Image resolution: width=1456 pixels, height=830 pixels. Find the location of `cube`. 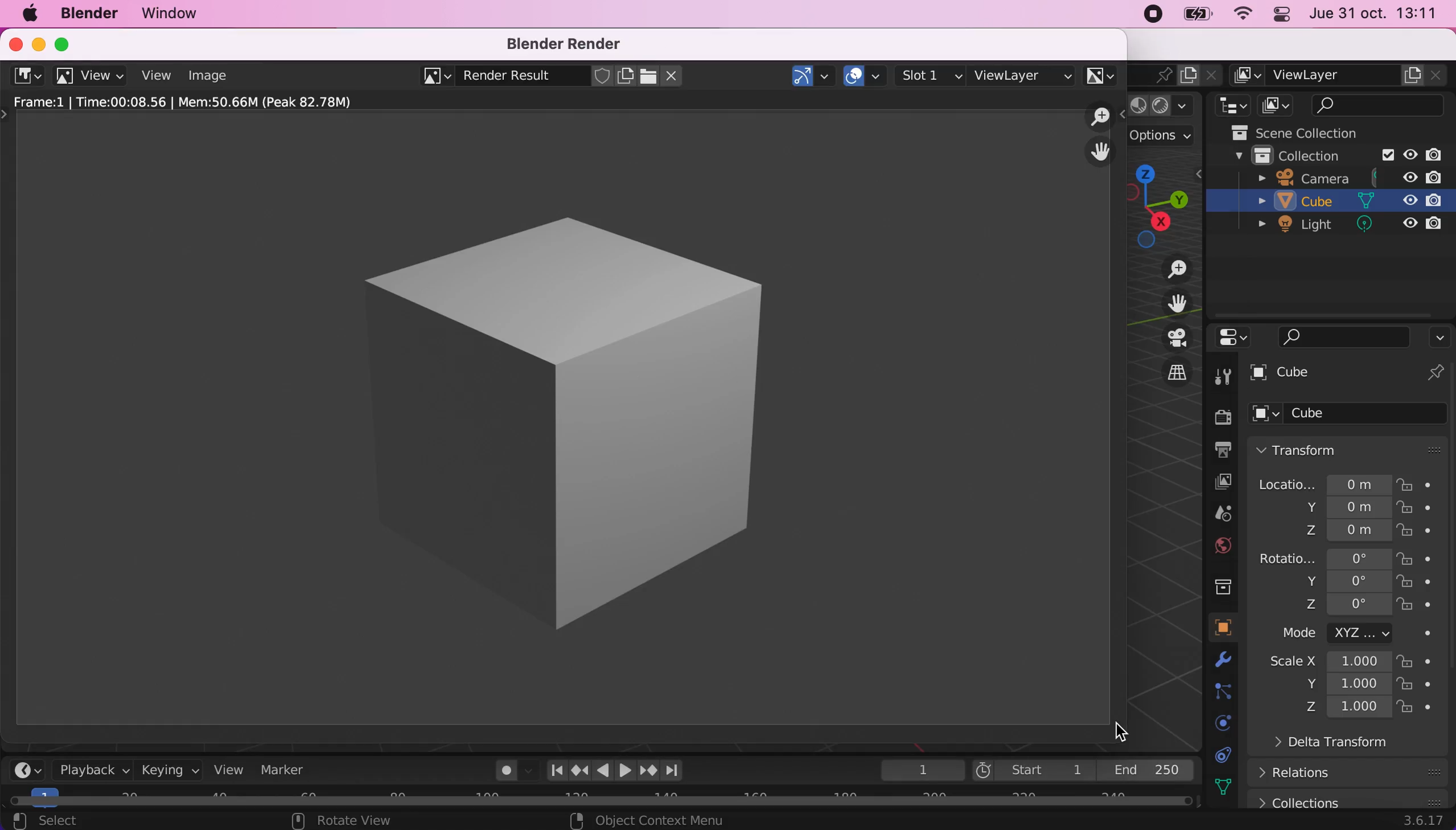

cube is located at coordinates (1351, 374).